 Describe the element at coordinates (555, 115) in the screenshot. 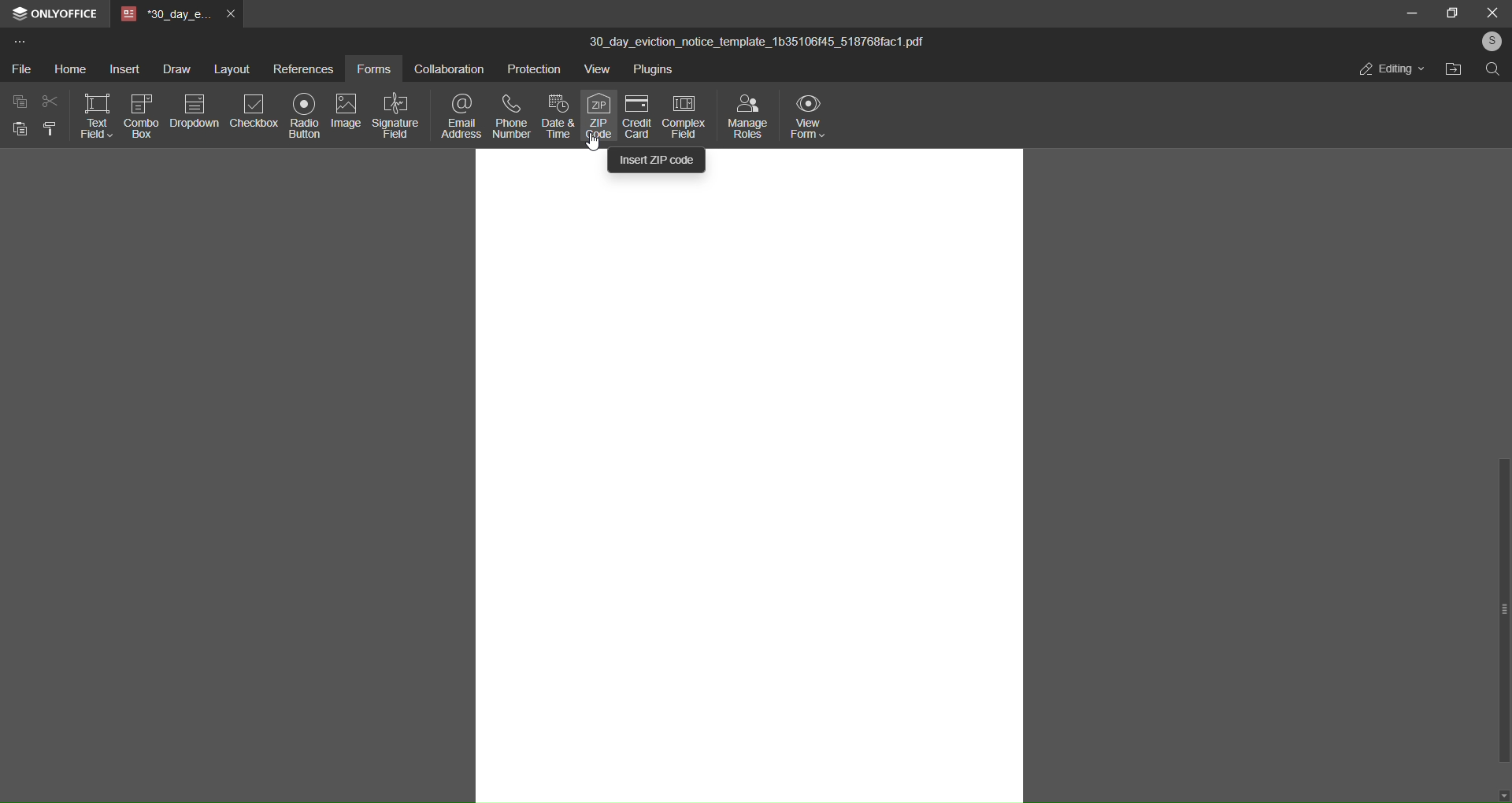

I see `date and time` at that location.